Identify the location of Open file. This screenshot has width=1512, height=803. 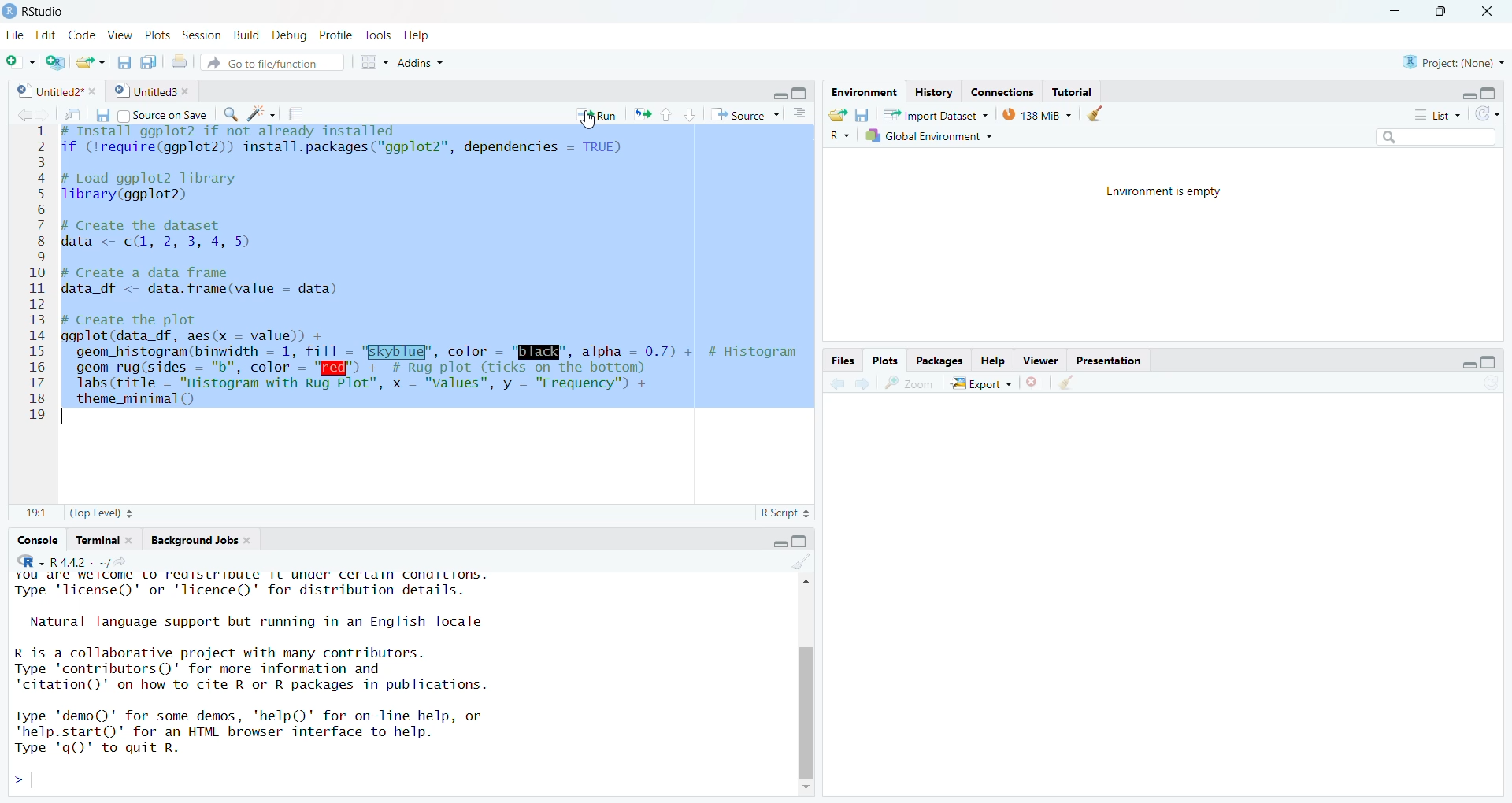
(90, 61).